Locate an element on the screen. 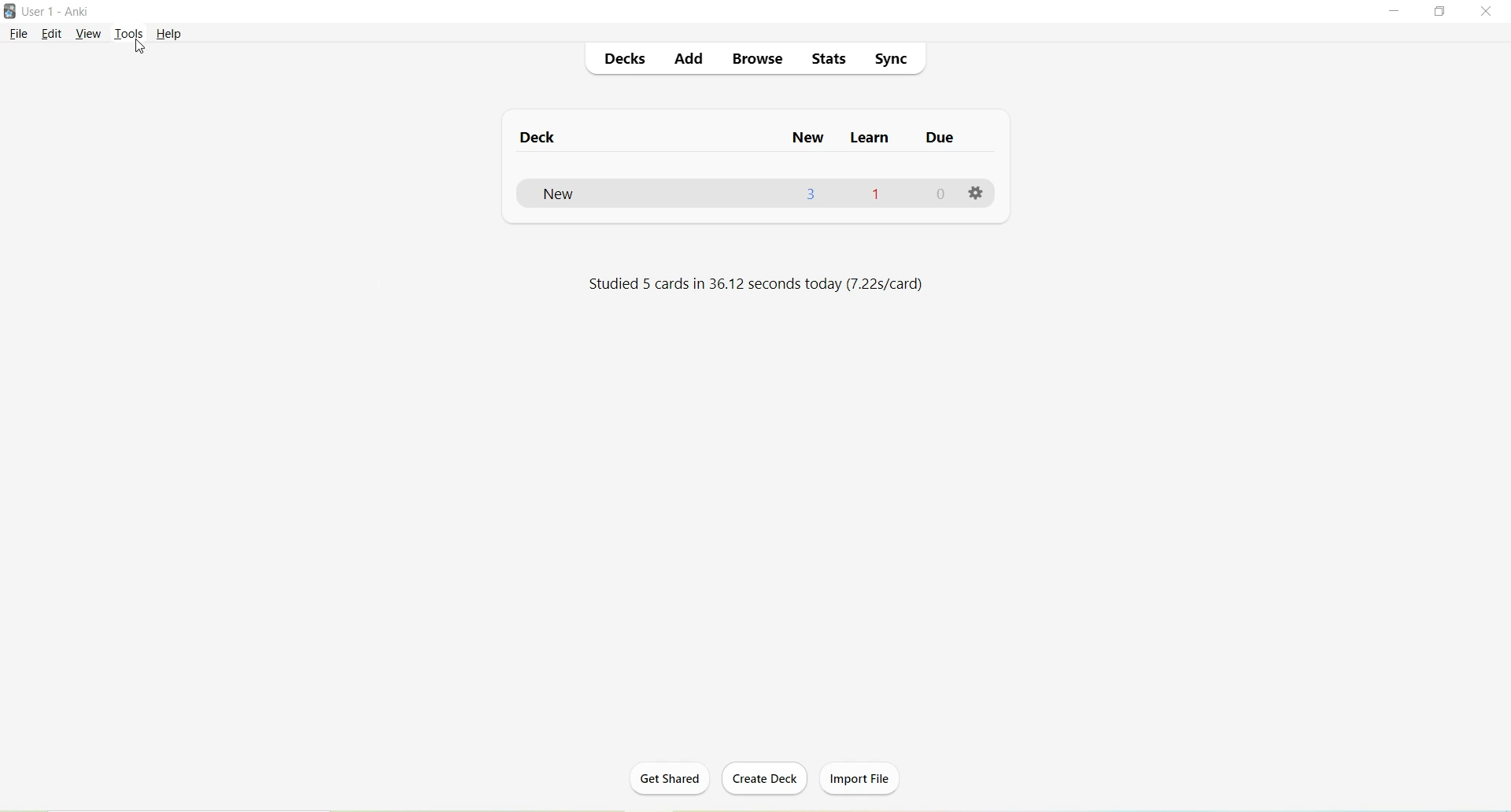 The width and height of the screenshot is (1511, 812). Deck is located at coordinates (545, 138).